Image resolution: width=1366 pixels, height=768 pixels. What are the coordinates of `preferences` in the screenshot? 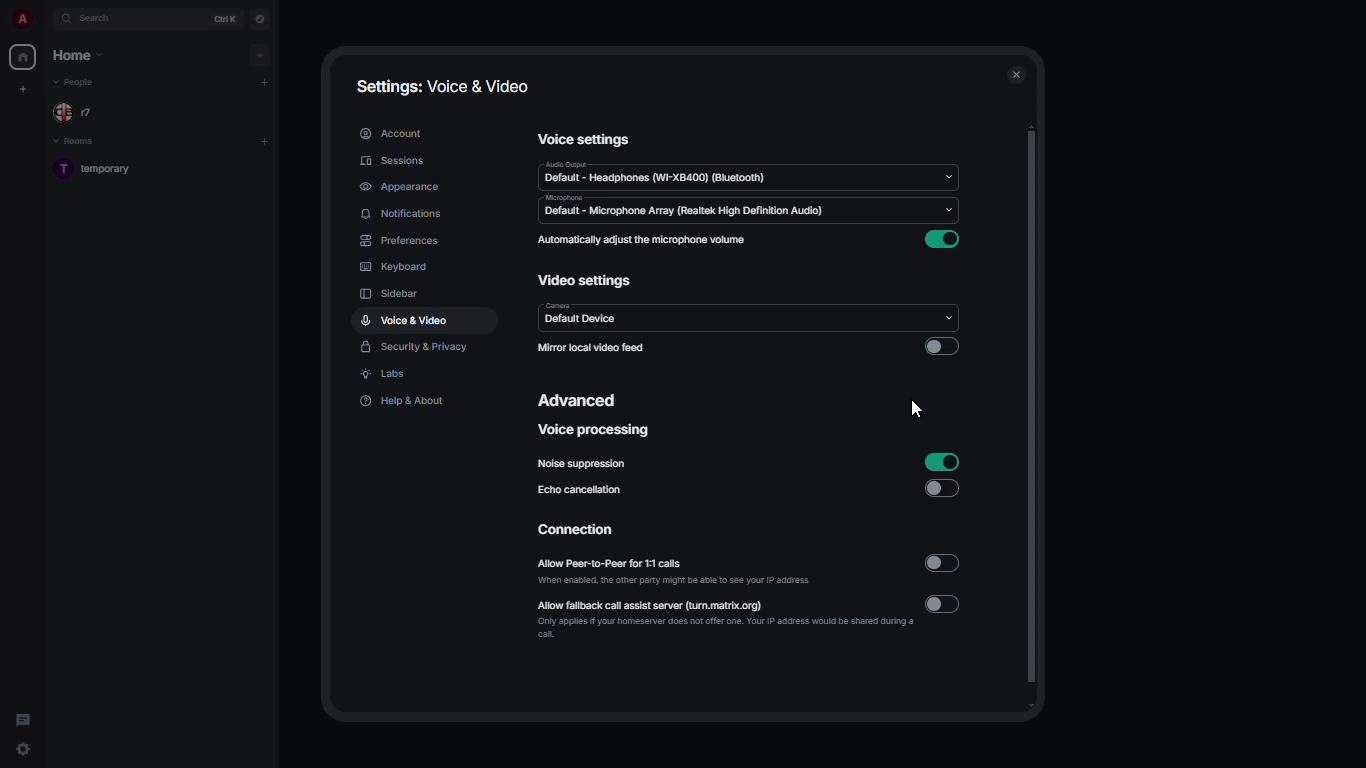 It's located at (404, 241).